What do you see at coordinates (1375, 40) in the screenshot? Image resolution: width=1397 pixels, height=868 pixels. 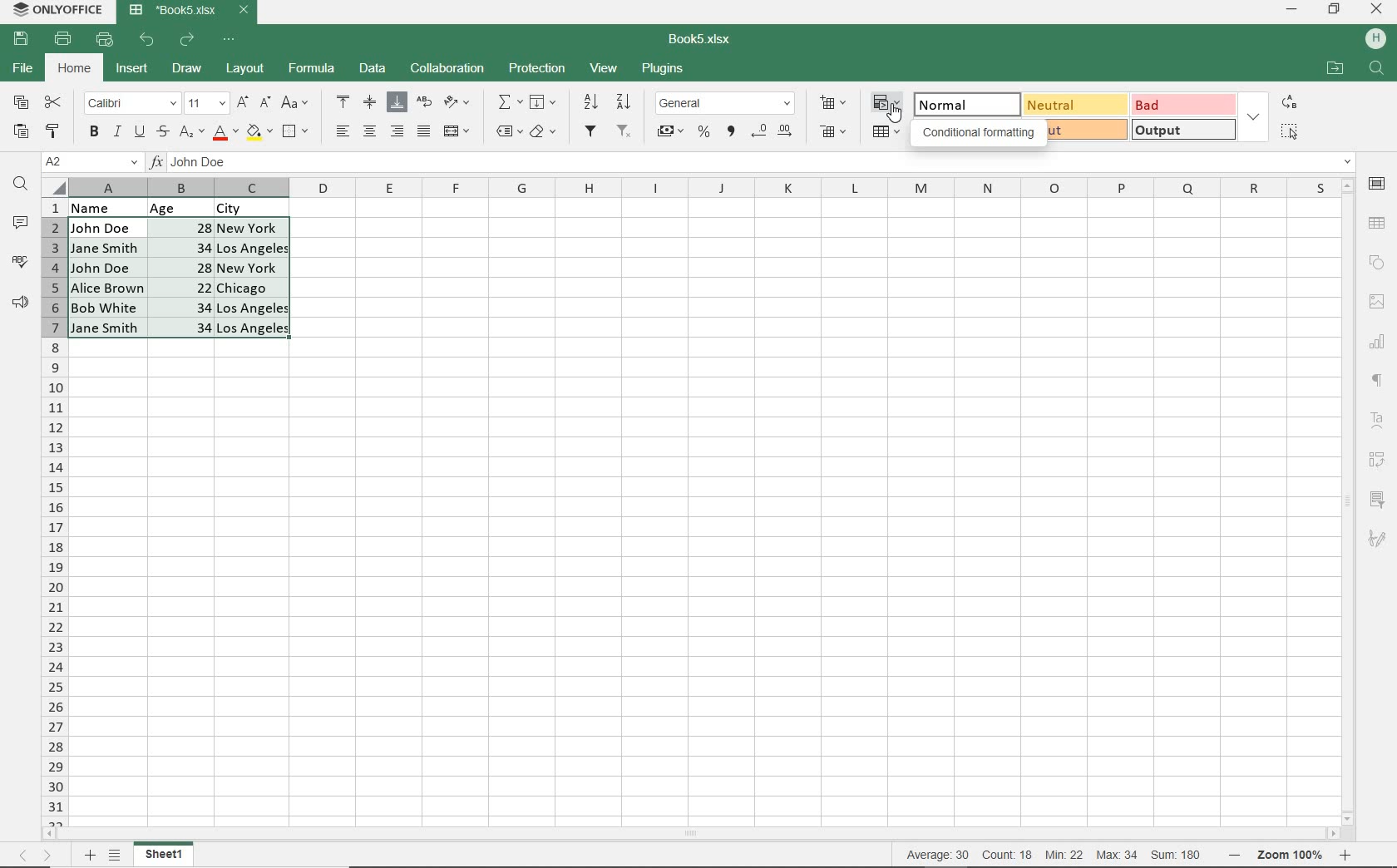 I see `HP` at bounding box center [1375, 40].